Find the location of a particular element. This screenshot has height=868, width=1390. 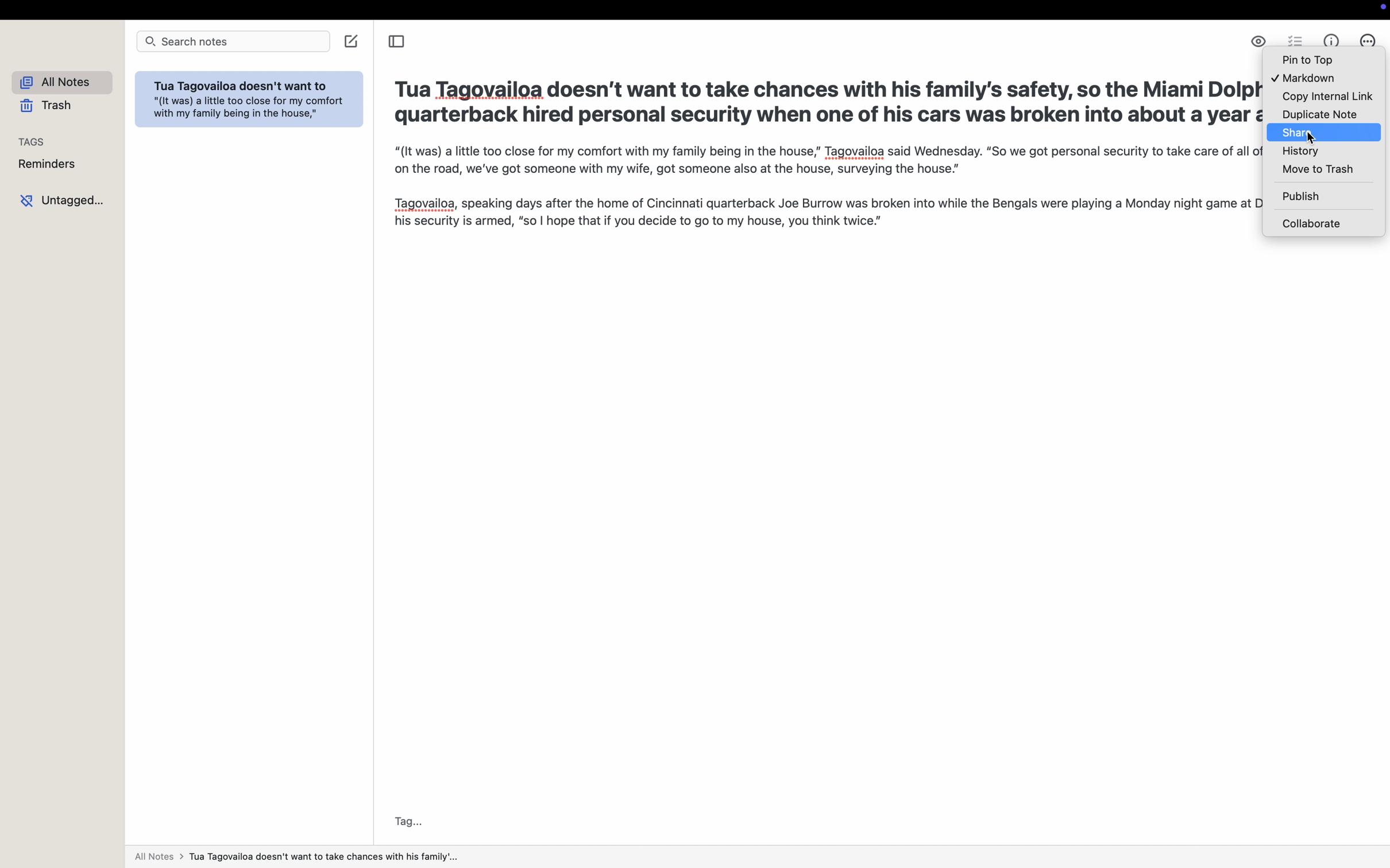

history is located at coordinates (1300, 152).